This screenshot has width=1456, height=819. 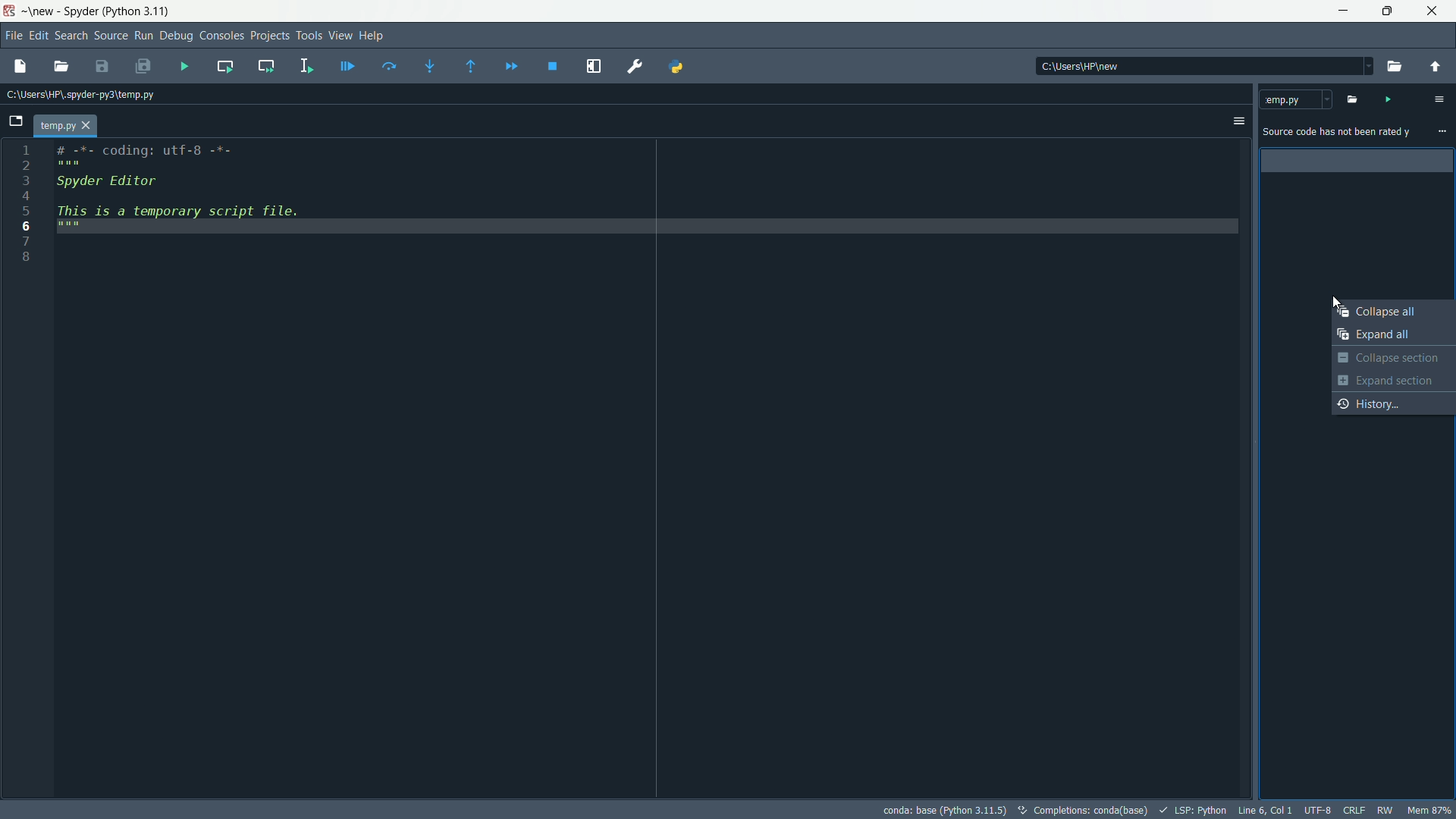 I want to click on browse directory, so click(x=1393, y=67).